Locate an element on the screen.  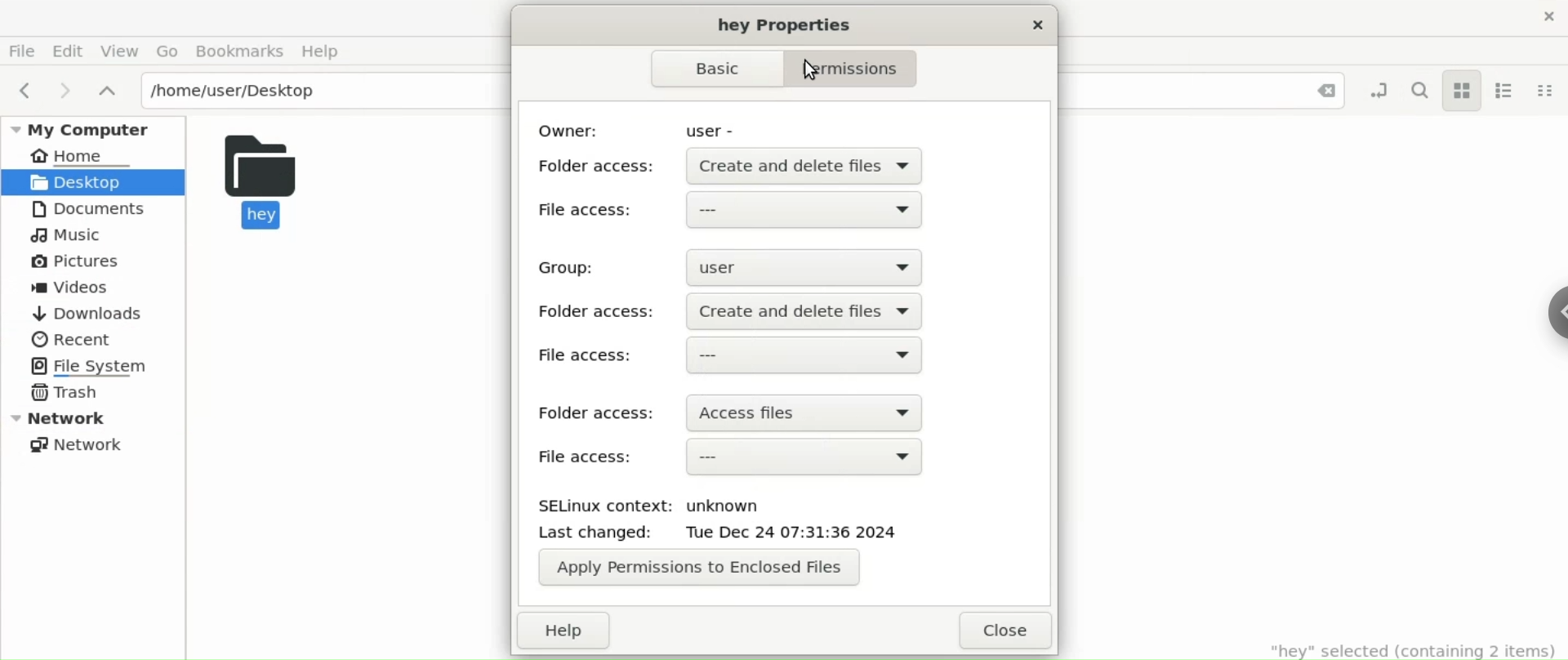
folder access is located at coordinates (598, 312).